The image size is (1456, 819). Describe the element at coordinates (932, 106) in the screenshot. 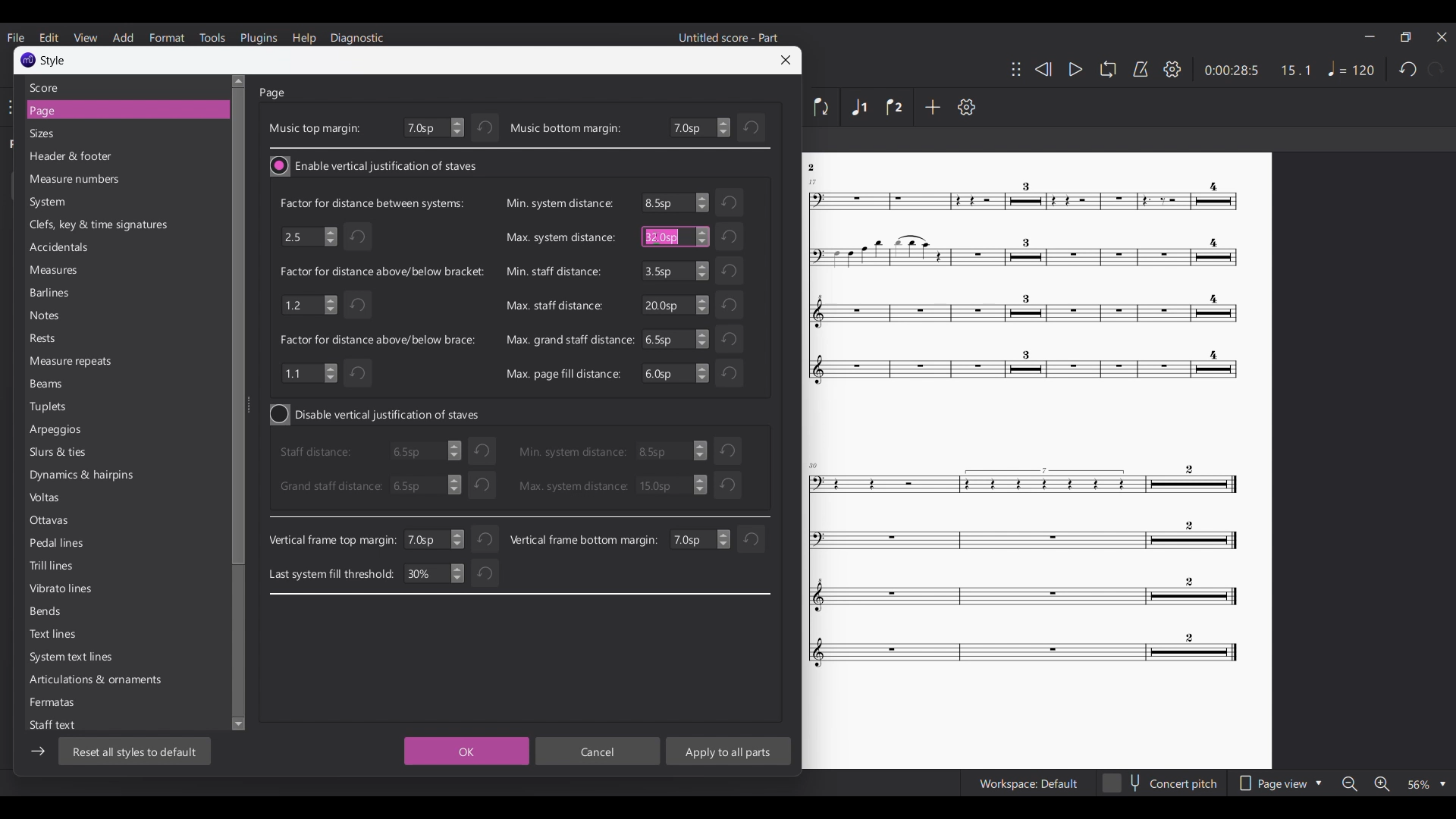

I see `Add` at that location.